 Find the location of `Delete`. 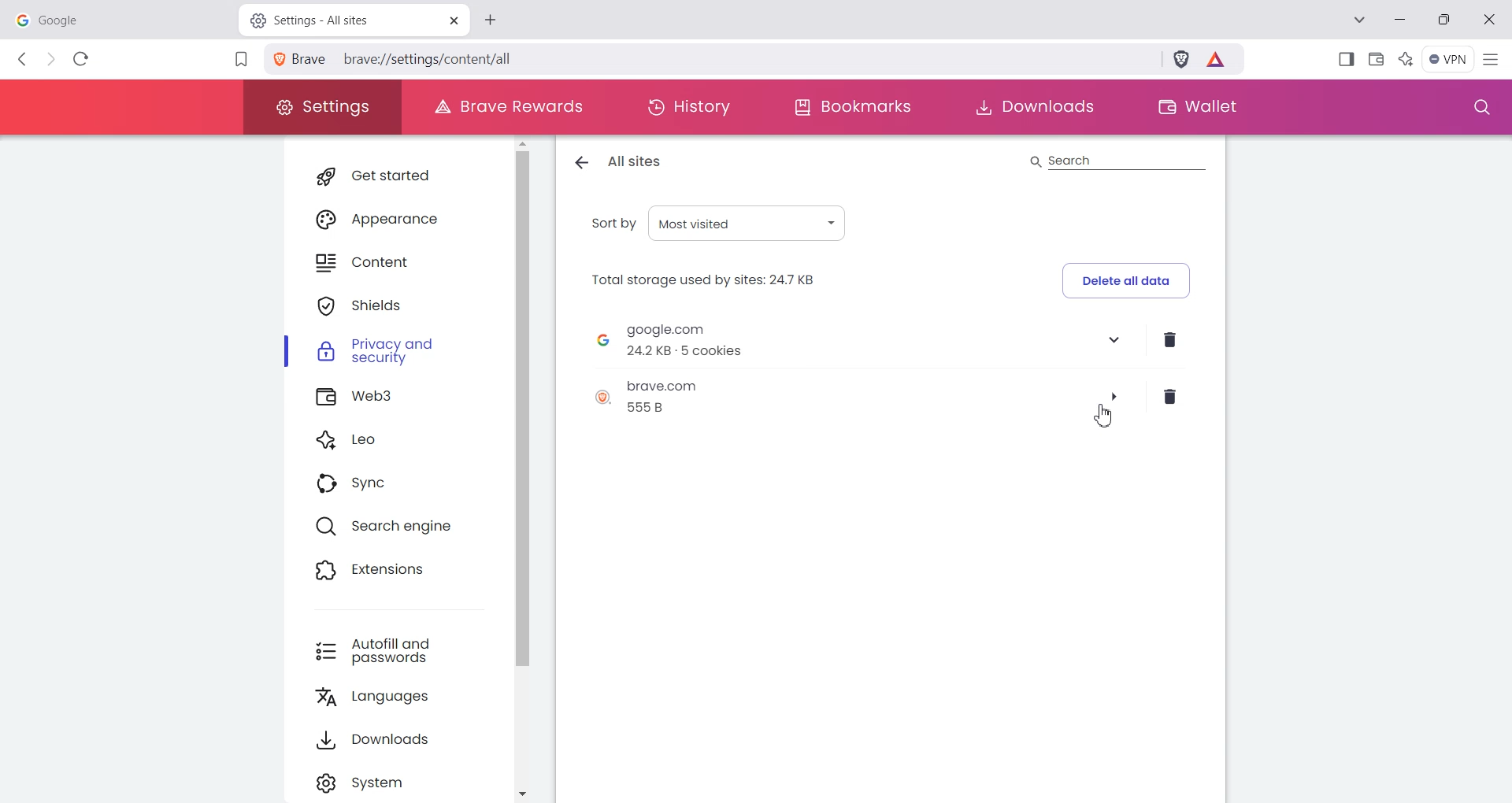

Delete is located at coordinates (1170, 342).